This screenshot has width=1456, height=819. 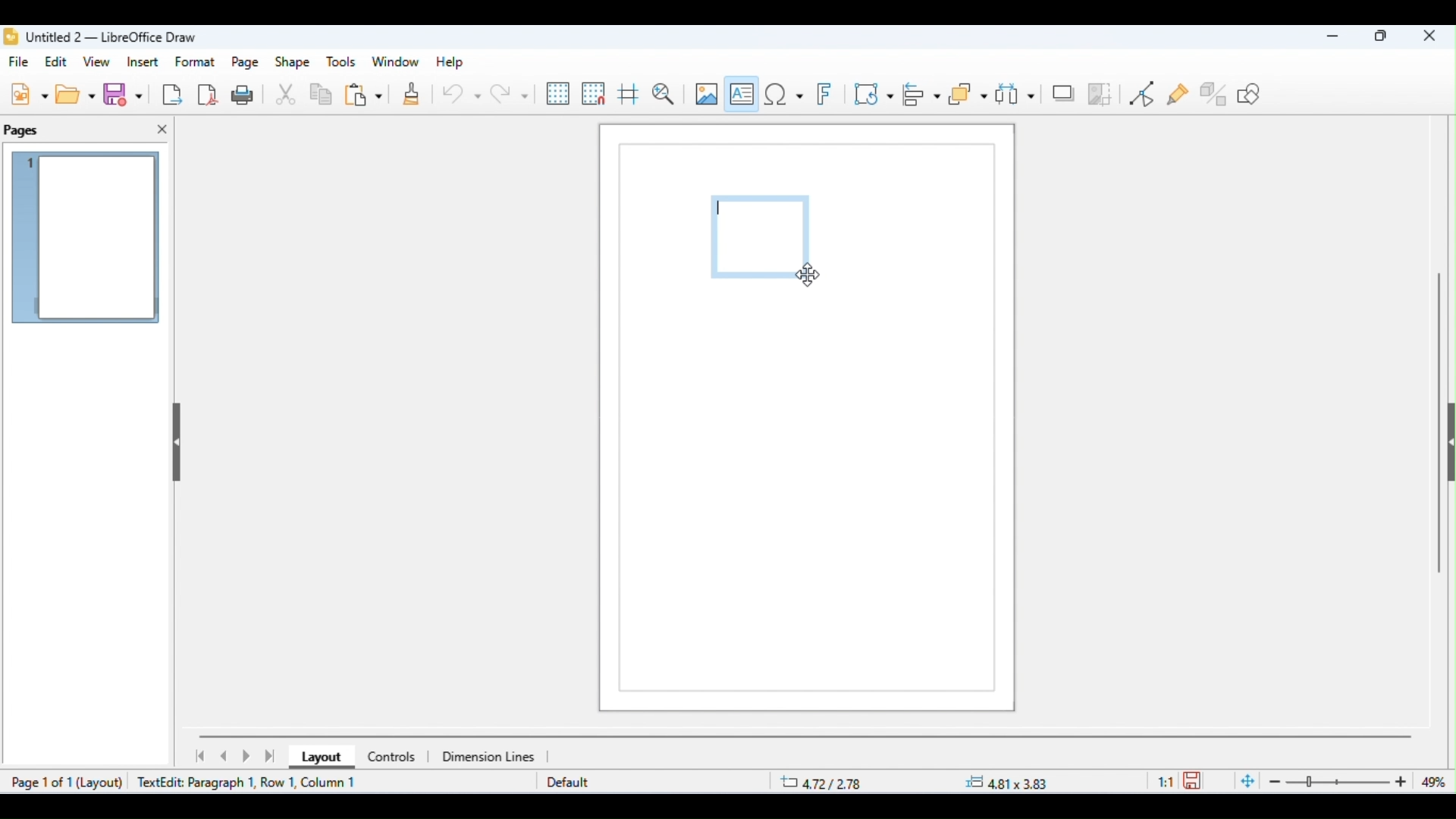 I want to click on current page , so click(x=87, y=240).